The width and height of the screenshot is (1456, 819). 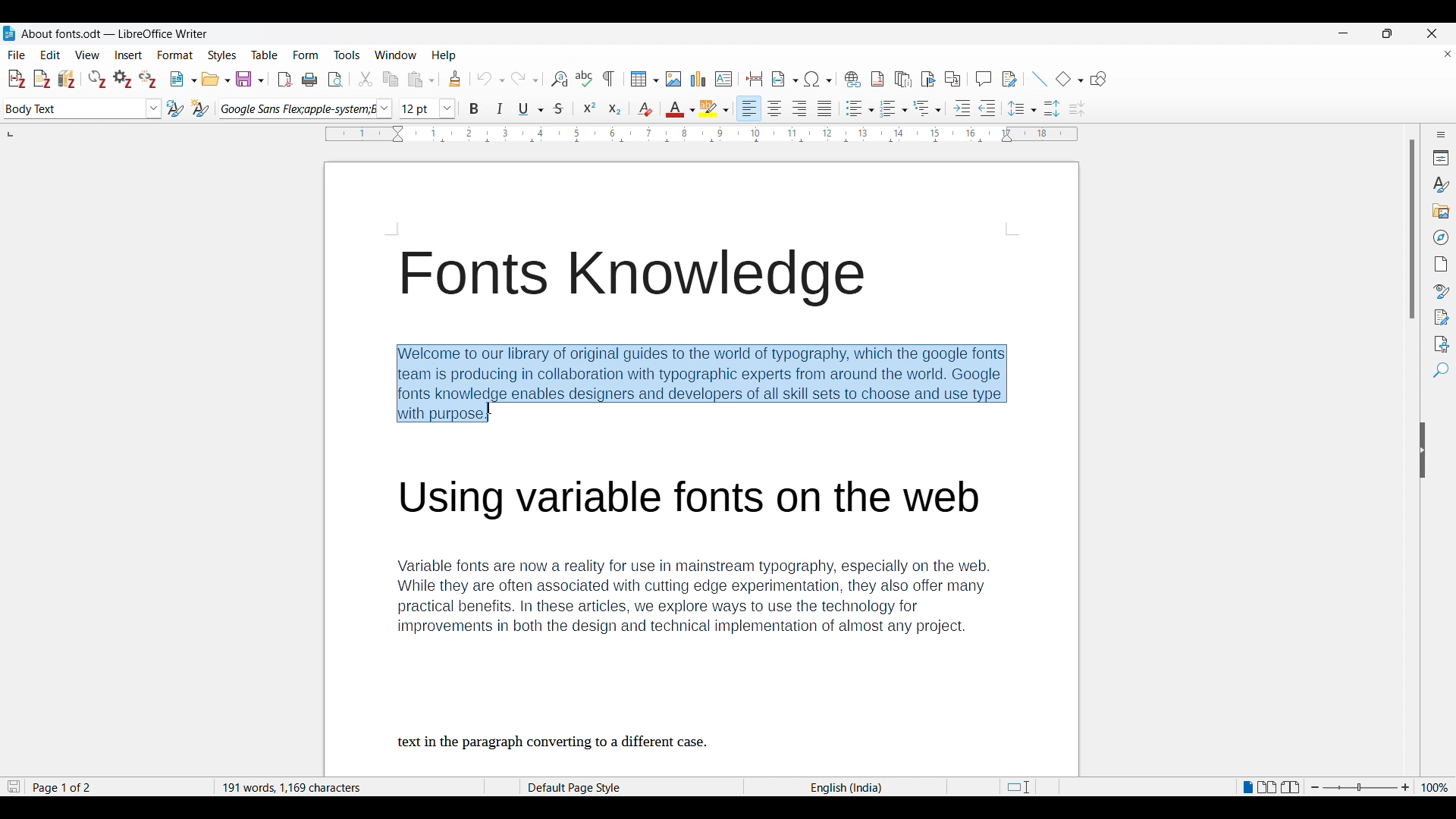 I want to click on Hide sidebar, so click(x=1423, y=450).